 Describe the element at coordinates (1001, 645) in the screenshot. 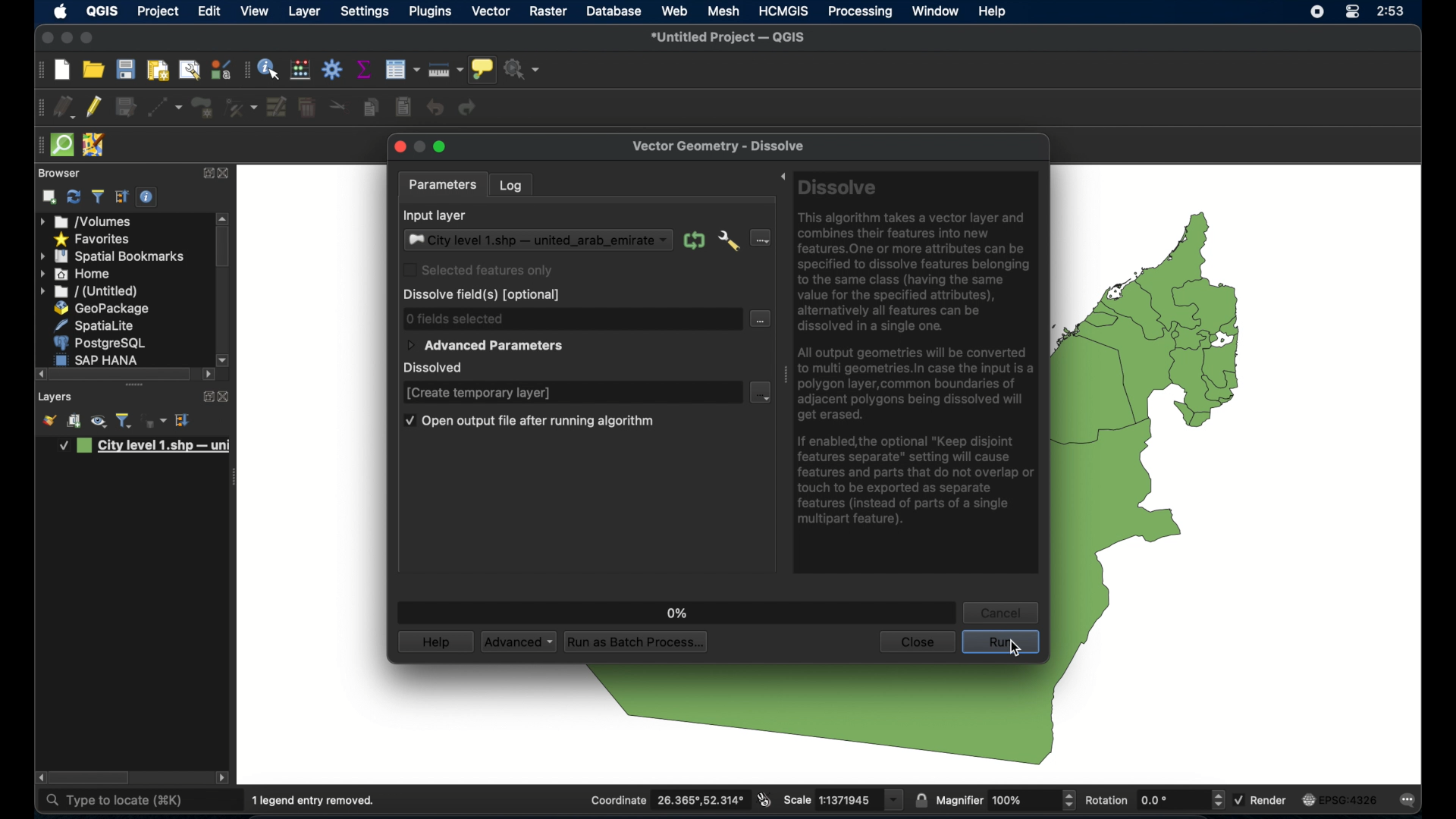

I see `run` at that location.